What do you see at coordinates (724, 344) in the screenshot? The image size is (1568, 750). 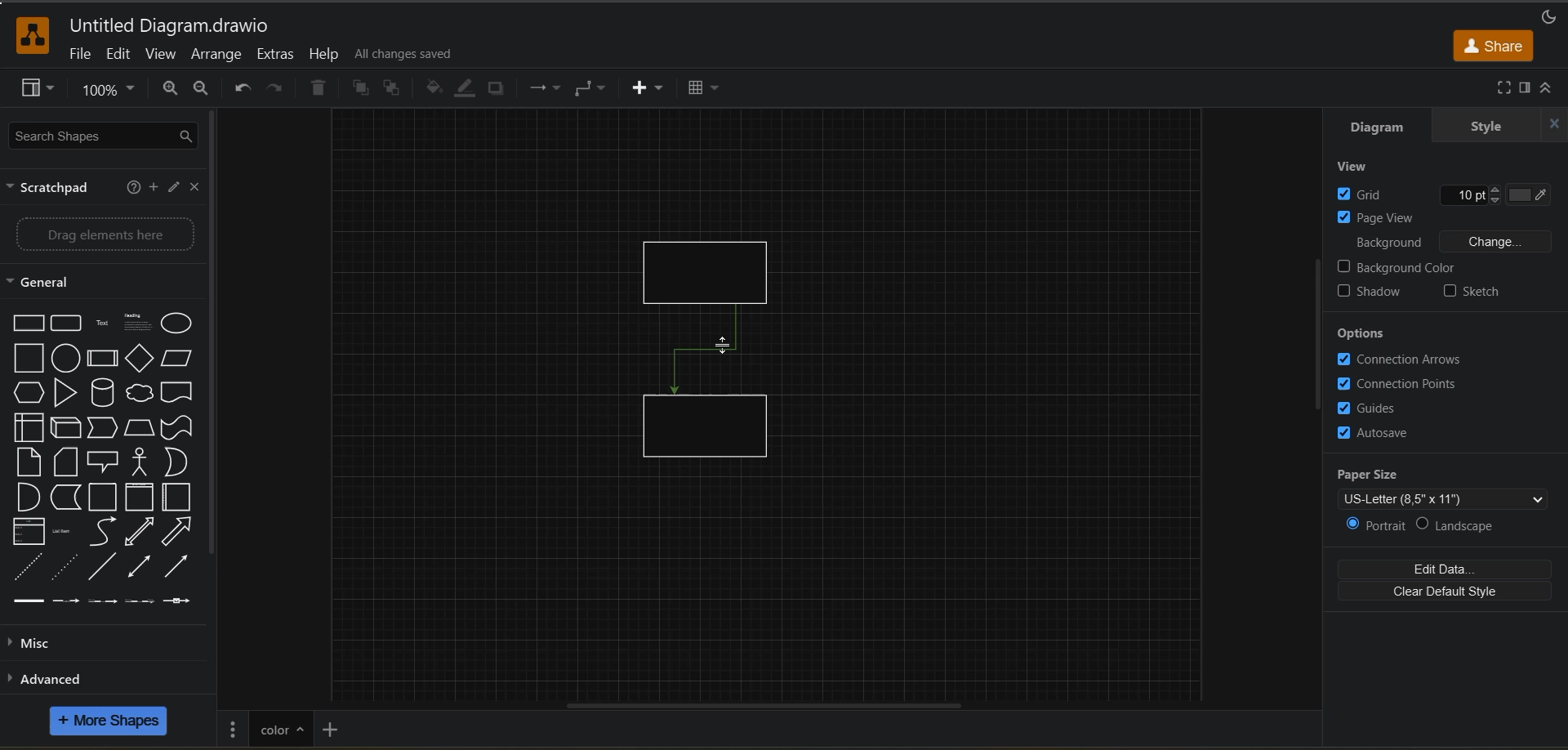 I see `cursor` at bounding box center [724, 344].